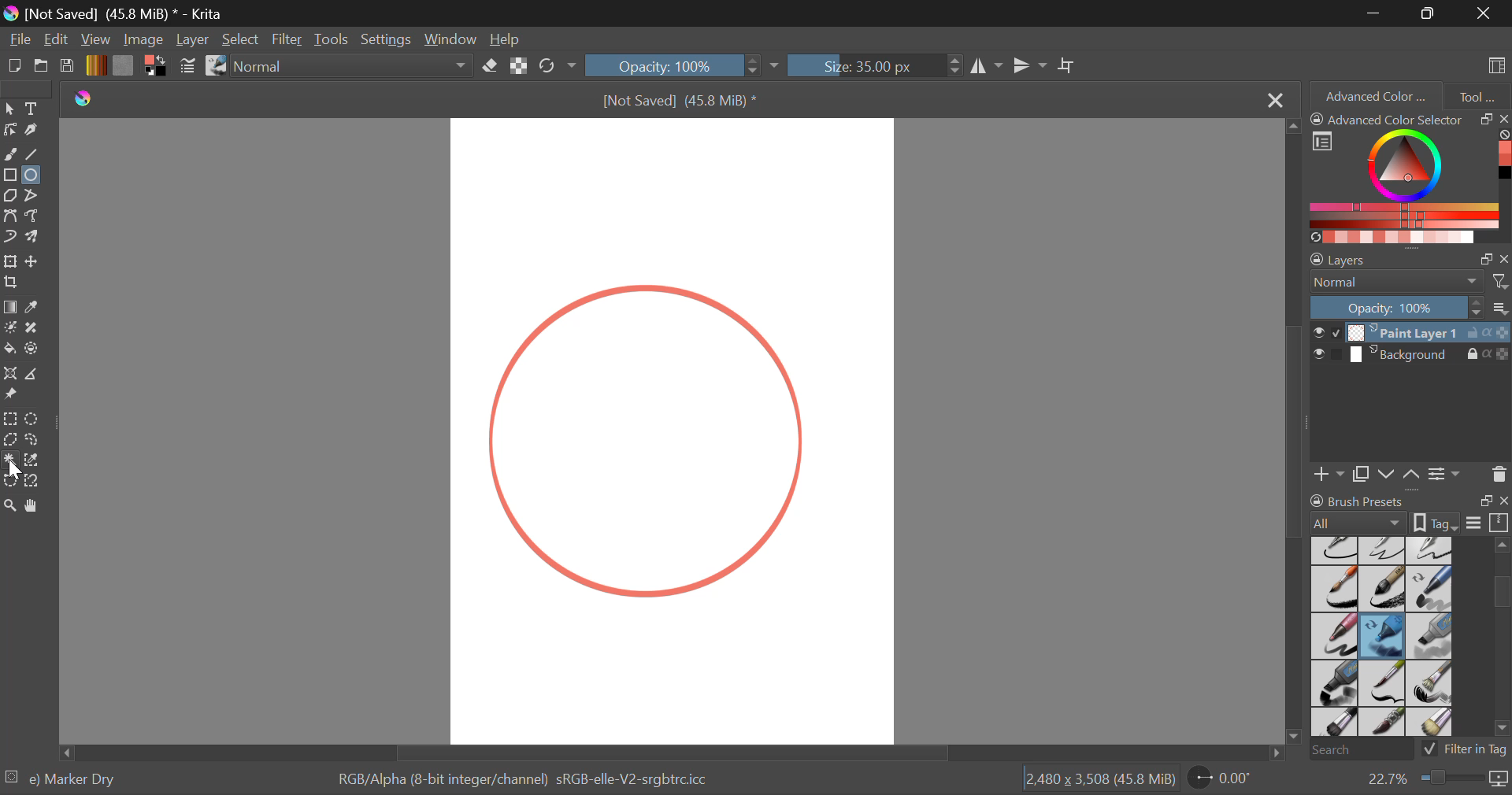 This screenshot has height=795, width=1512. I want to click on New, so click(15, 68).